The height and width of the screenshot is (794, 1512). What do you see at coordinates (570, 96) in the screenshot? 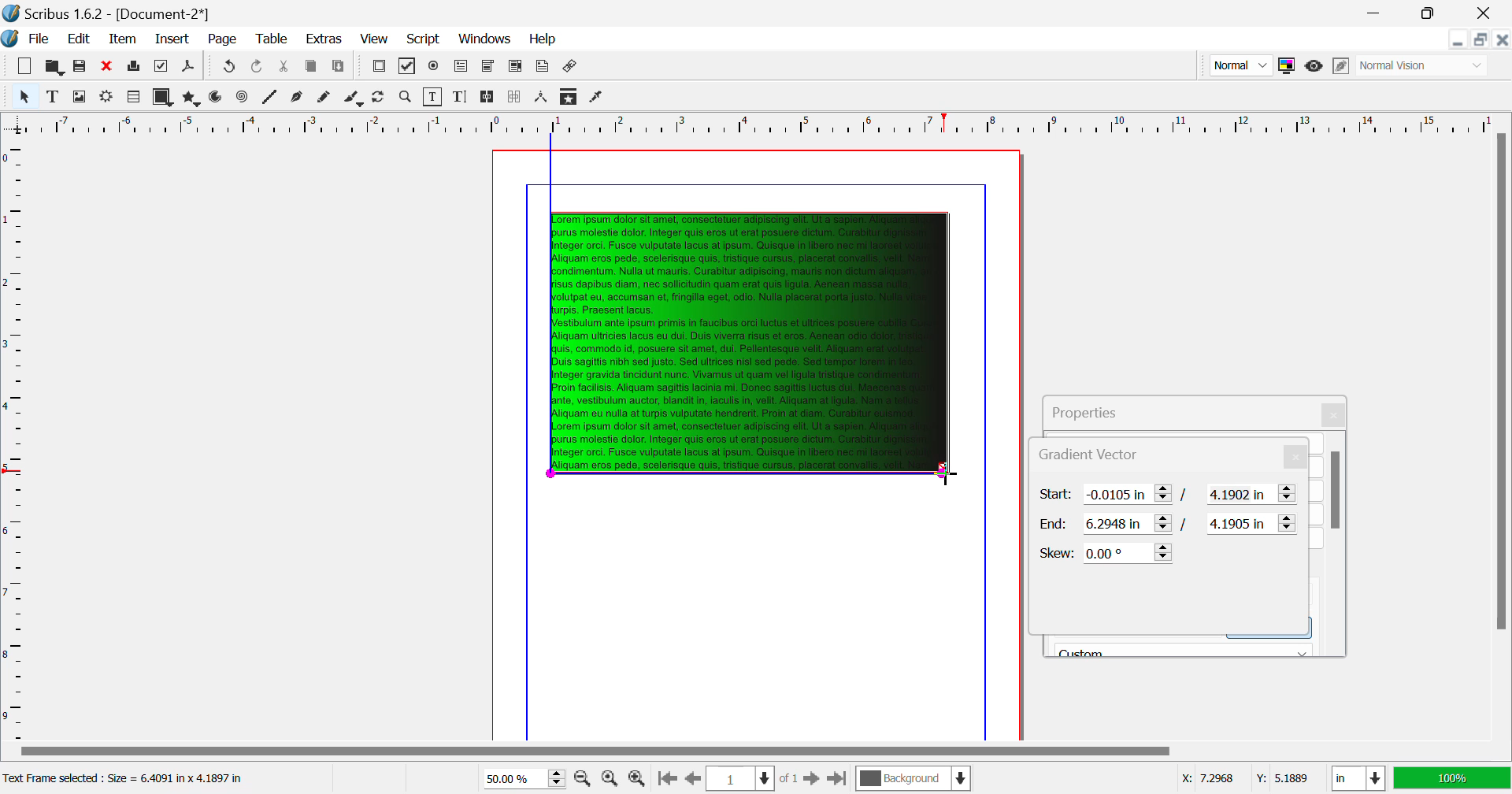
I see `Copy Item Properties` at bounding box center [570, 96].